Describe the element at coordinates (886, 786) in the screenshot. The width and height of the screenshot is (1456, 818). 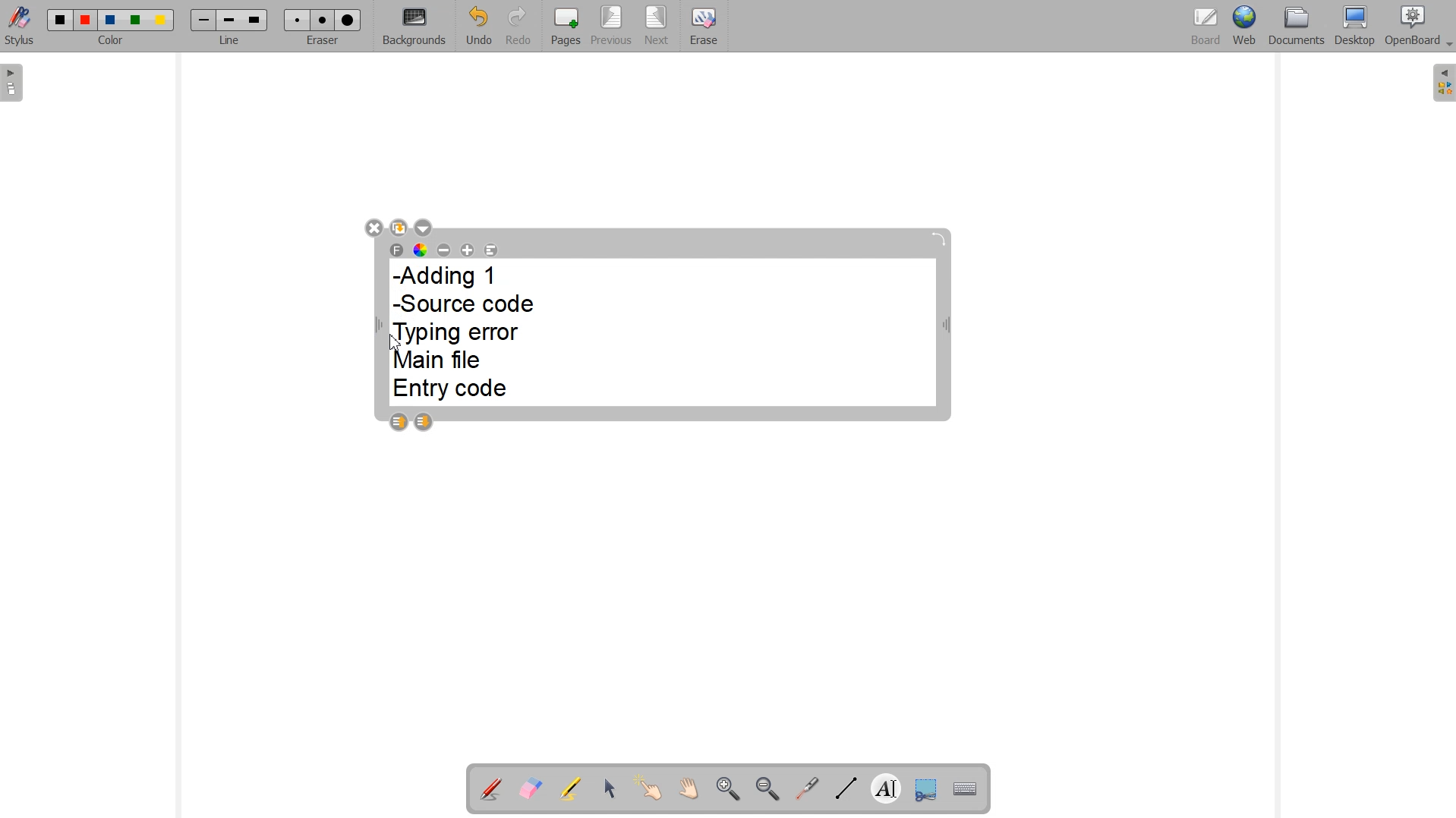
I see `Write text` at that location.